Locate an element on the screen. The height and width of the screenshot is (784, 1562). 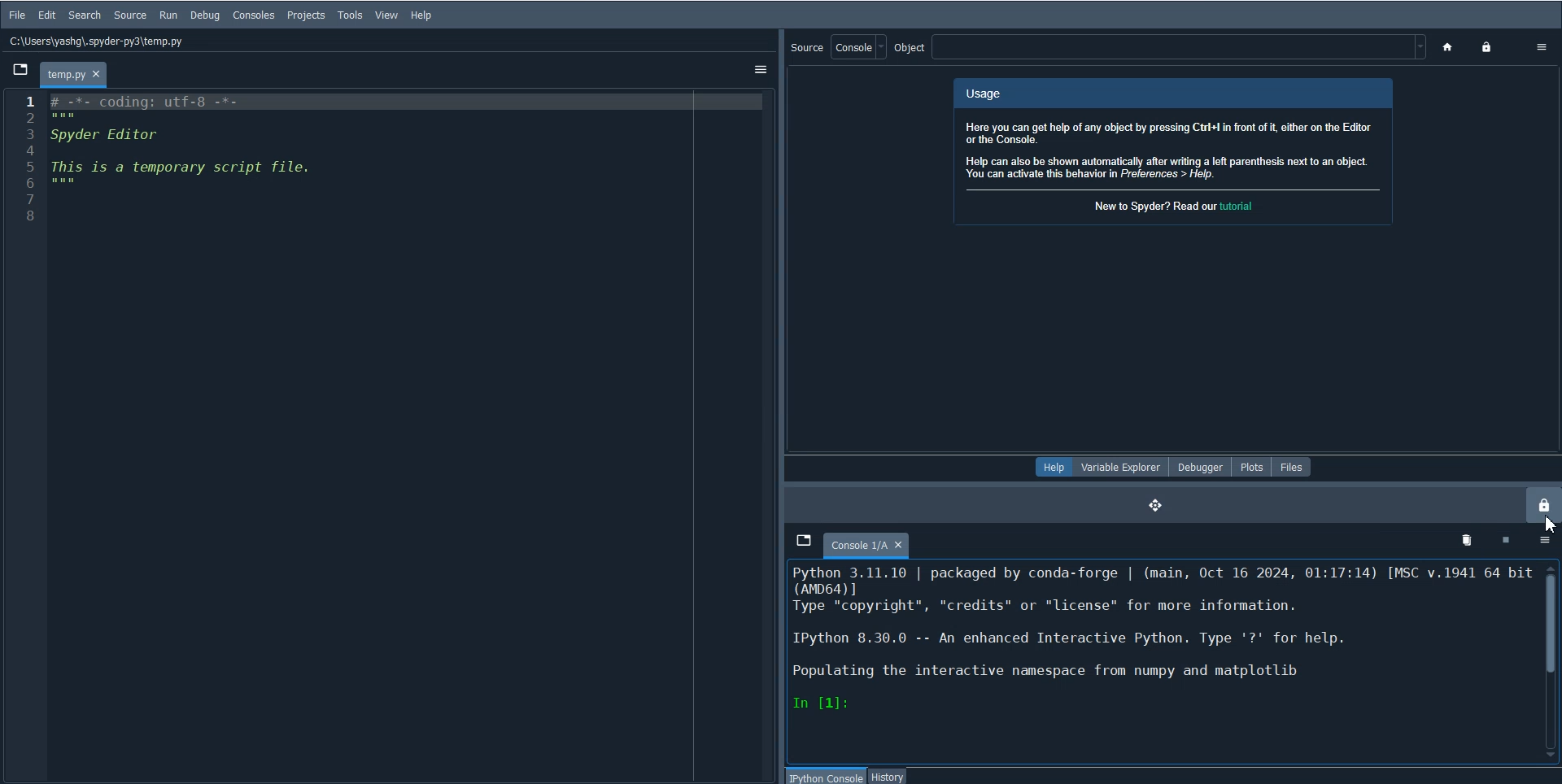
Lock is located at coordinates (1490, 48).